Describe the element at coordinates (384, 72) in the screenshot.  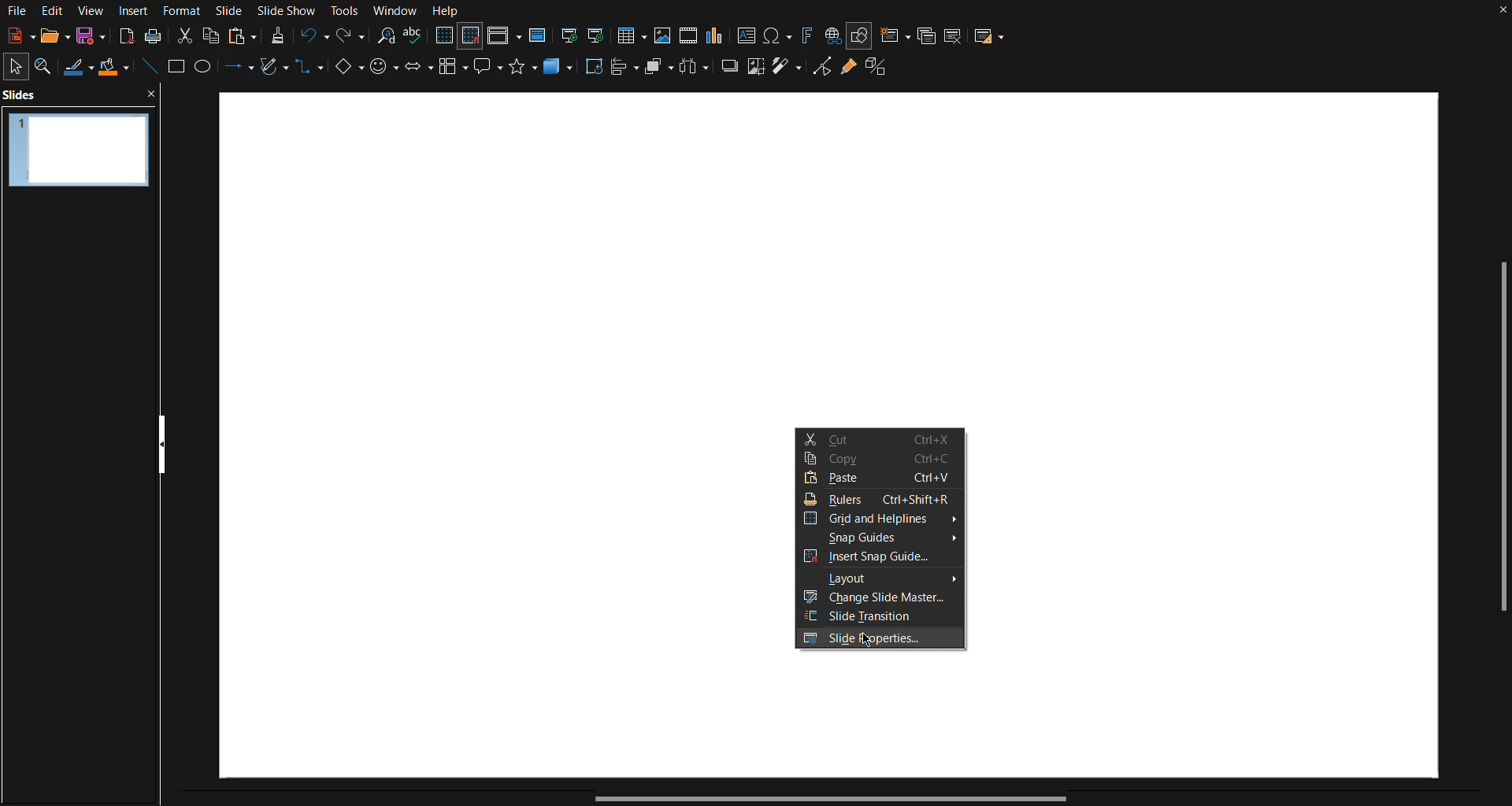
I see `Symbol Shapes` at that location.